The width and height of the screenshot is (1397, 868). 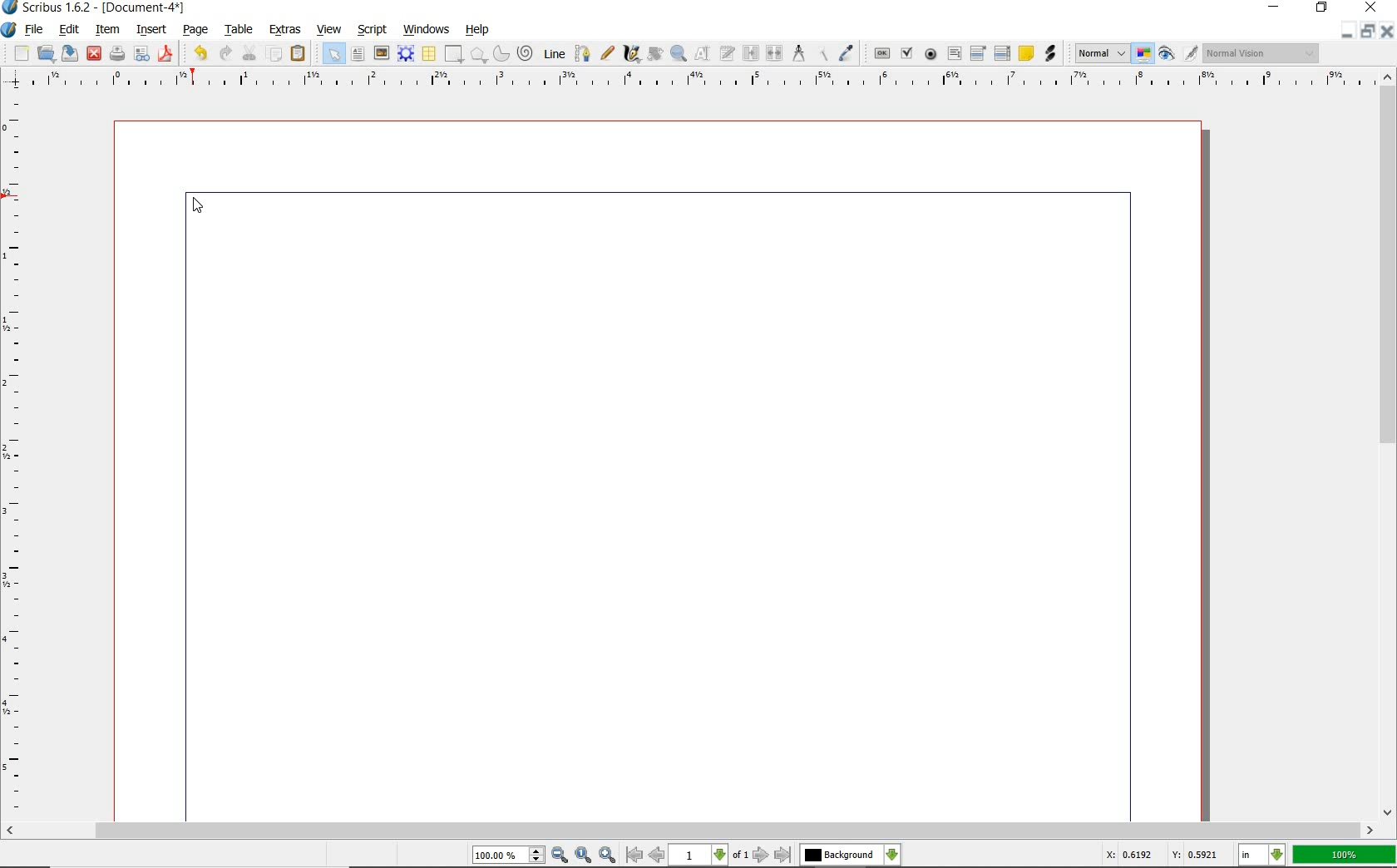 I want to click on go to next page, so click(x=762, y=855).